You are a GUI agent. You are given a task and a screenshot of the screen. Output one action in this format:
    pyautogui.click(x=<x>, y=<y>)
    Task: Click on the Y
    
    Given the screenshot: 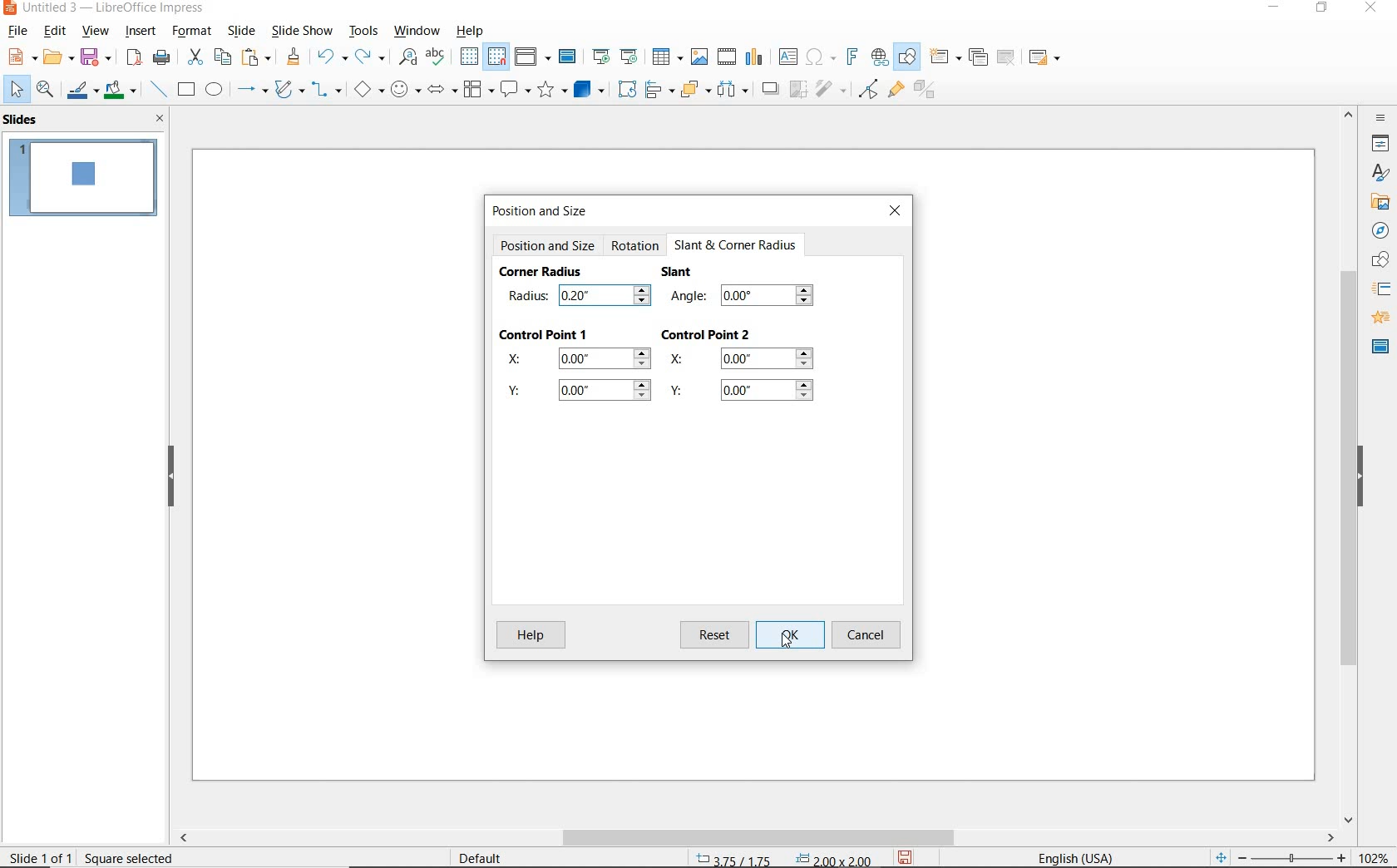 What is the action you would take?
    pyautogui.click(x=580, y=394)
    